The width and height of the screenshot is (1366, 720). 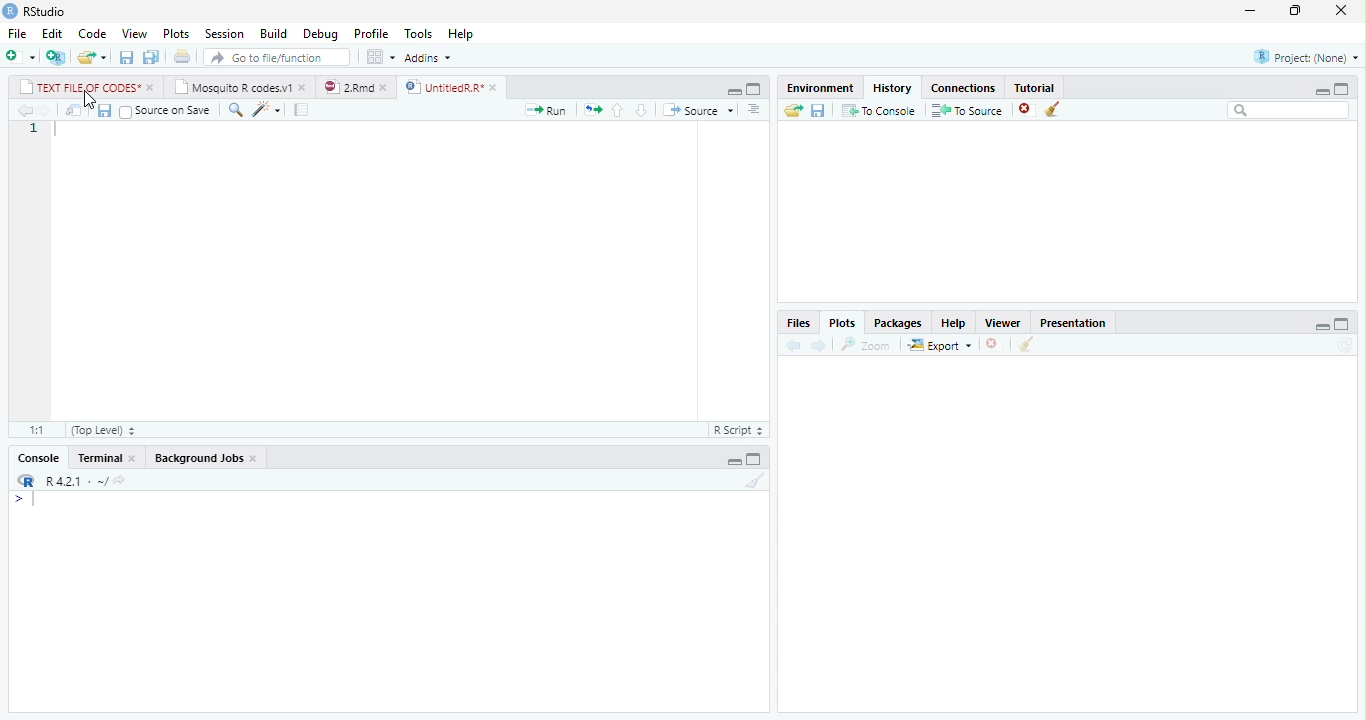 I want to click on maximize, so click(x=753, y=89).